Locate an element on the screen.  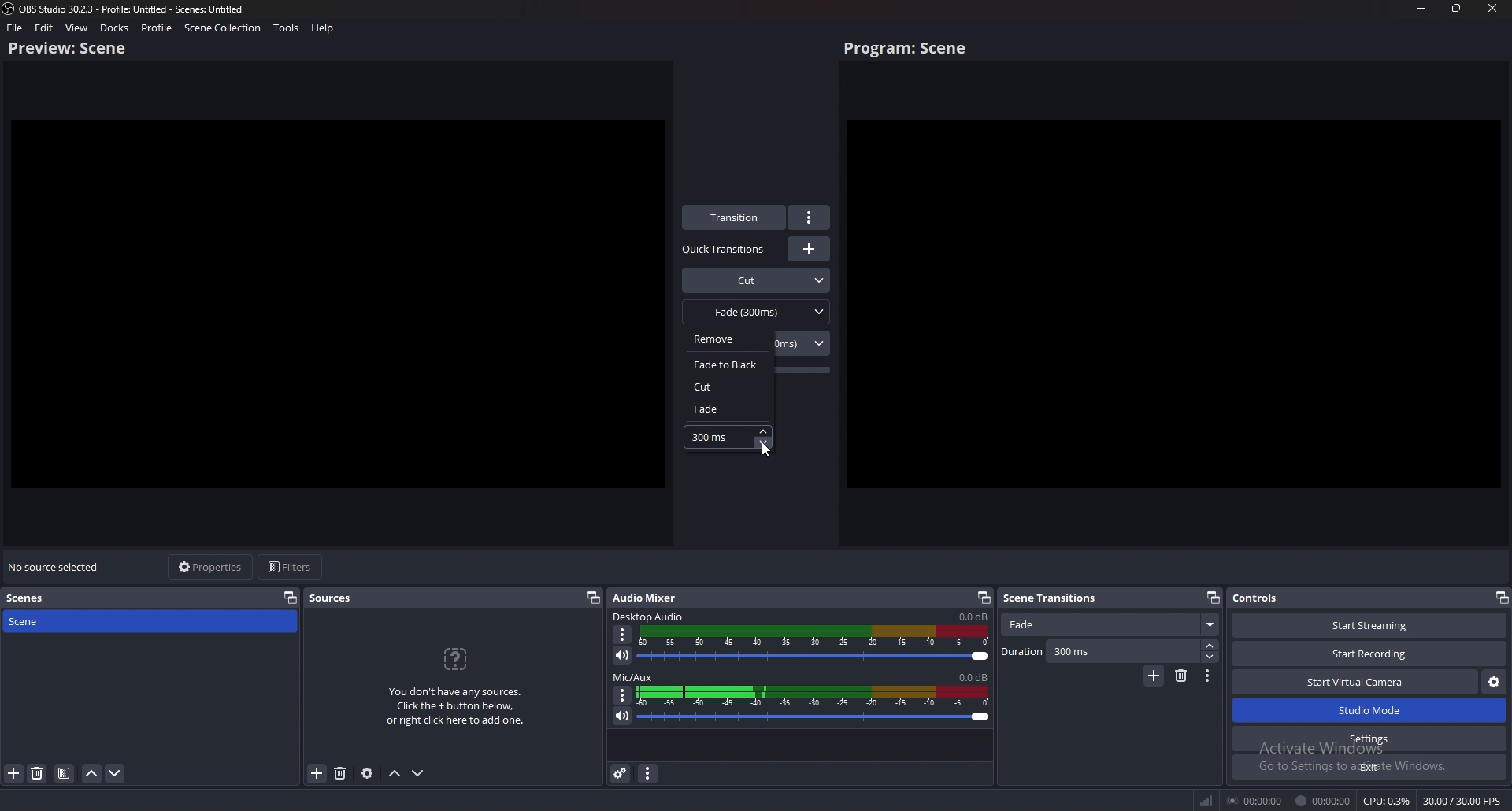
advanced audio properties is located at coordinates (621, 774).